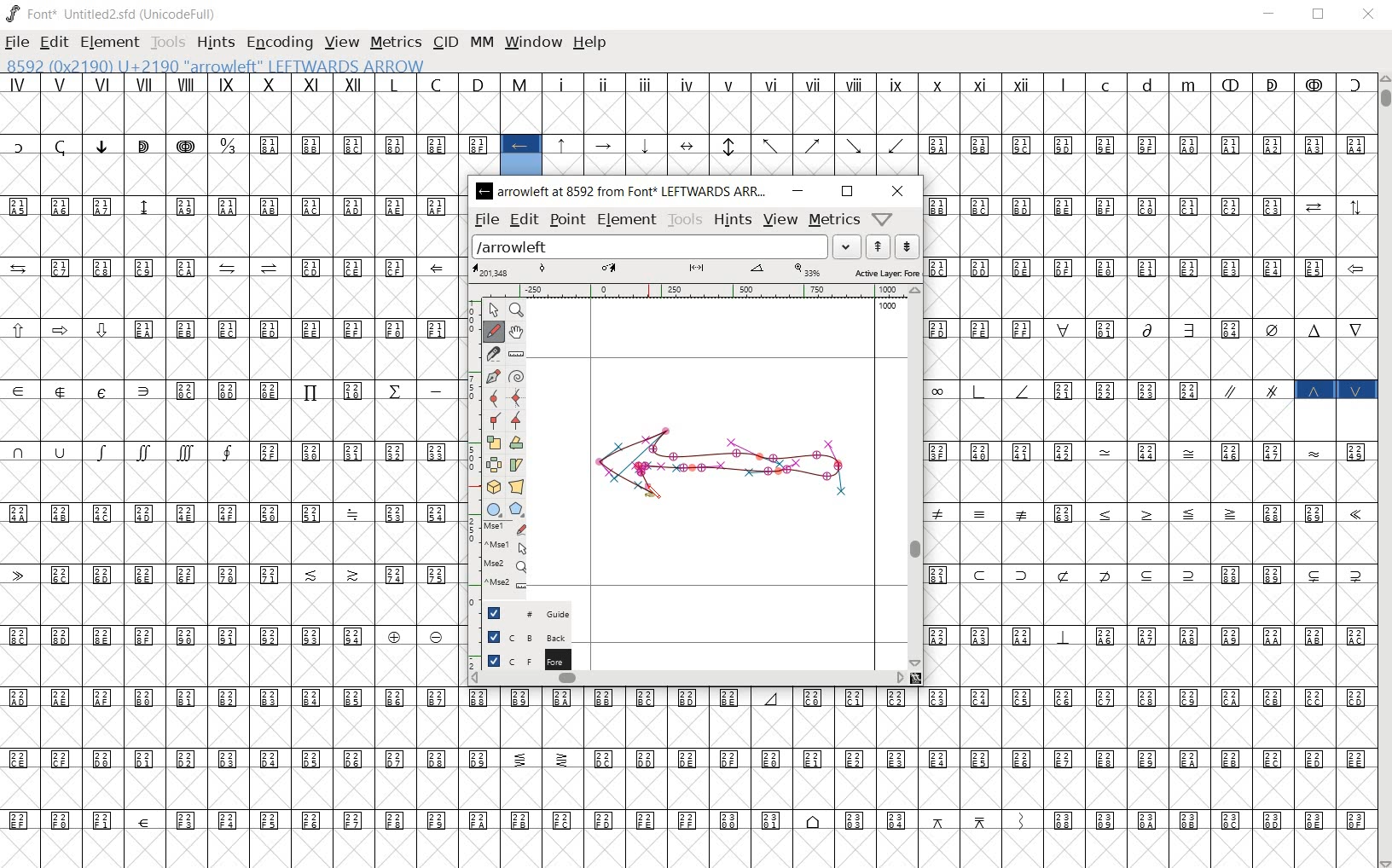 This screenshot has width=1392, height=868. What do you see at coordinates (486, 219) in the screenshot?
I see `file` at bounding box center [486, 219].